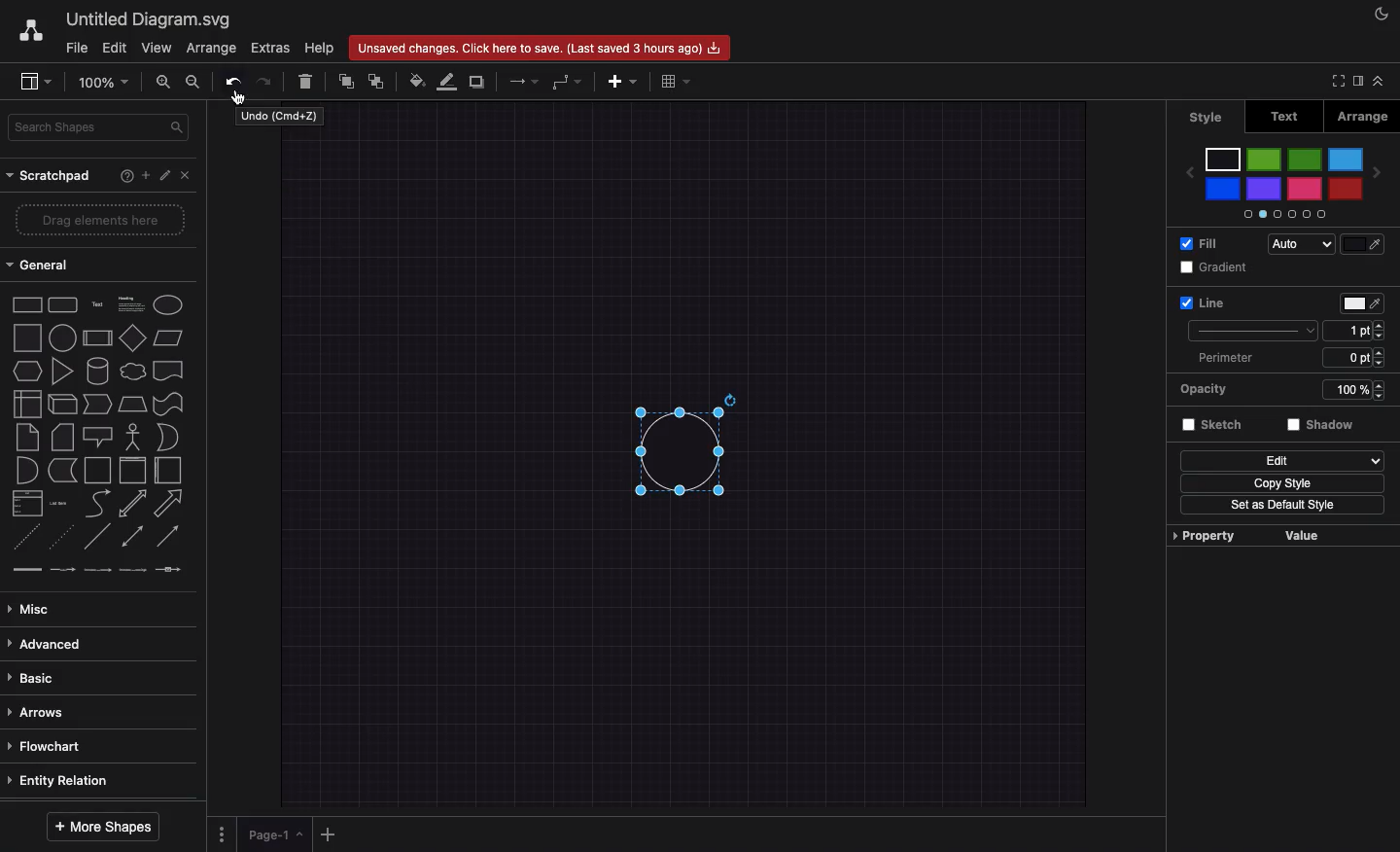  What do you see at coordinates (223, 834) in the screenshot?
I see `Options ` at bounding box center [223, 834].